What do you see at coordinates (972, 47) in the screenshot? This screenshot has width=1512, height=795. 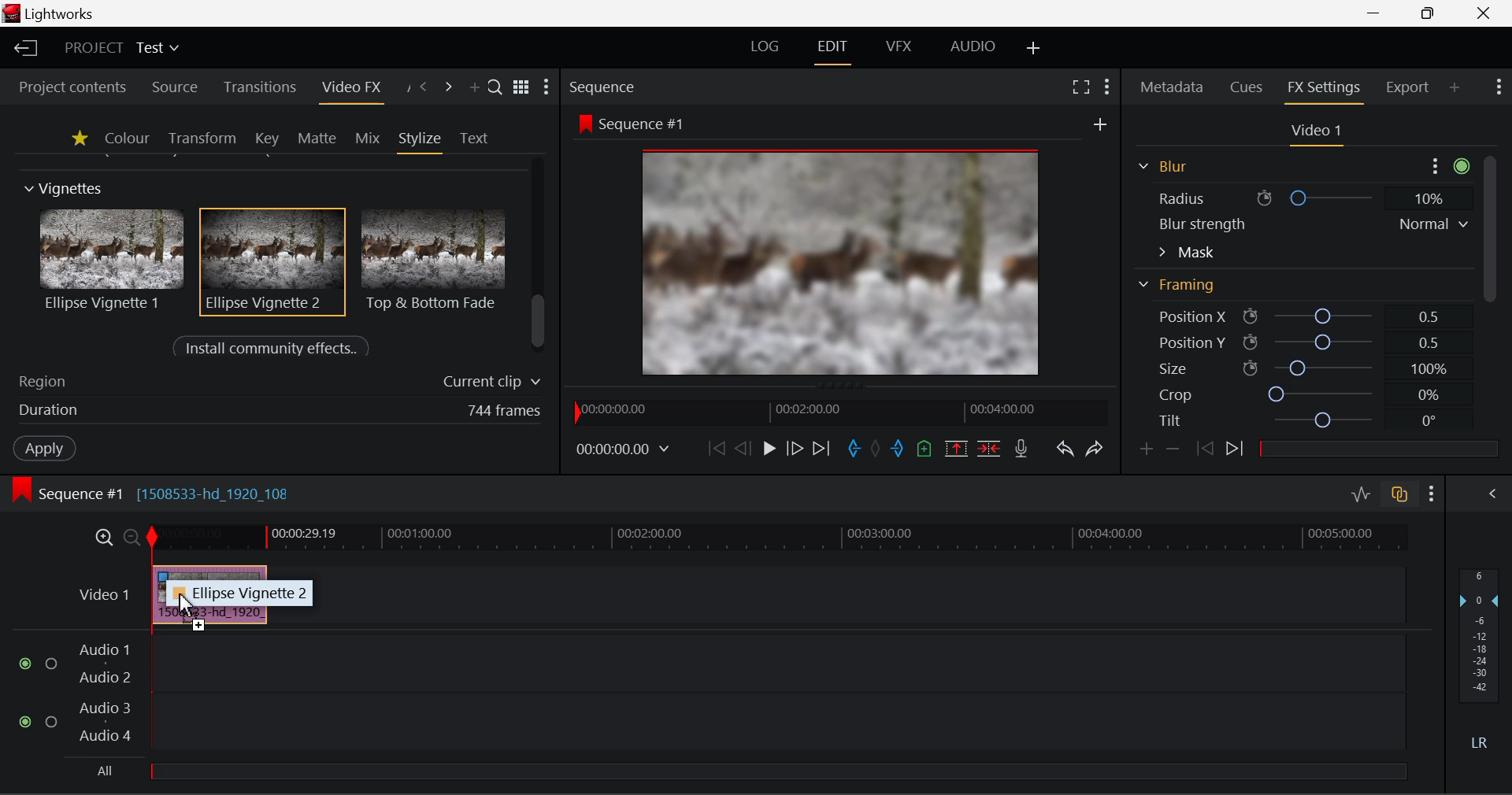 I see `AUDIO Layout` at bounding box center [972, 47].